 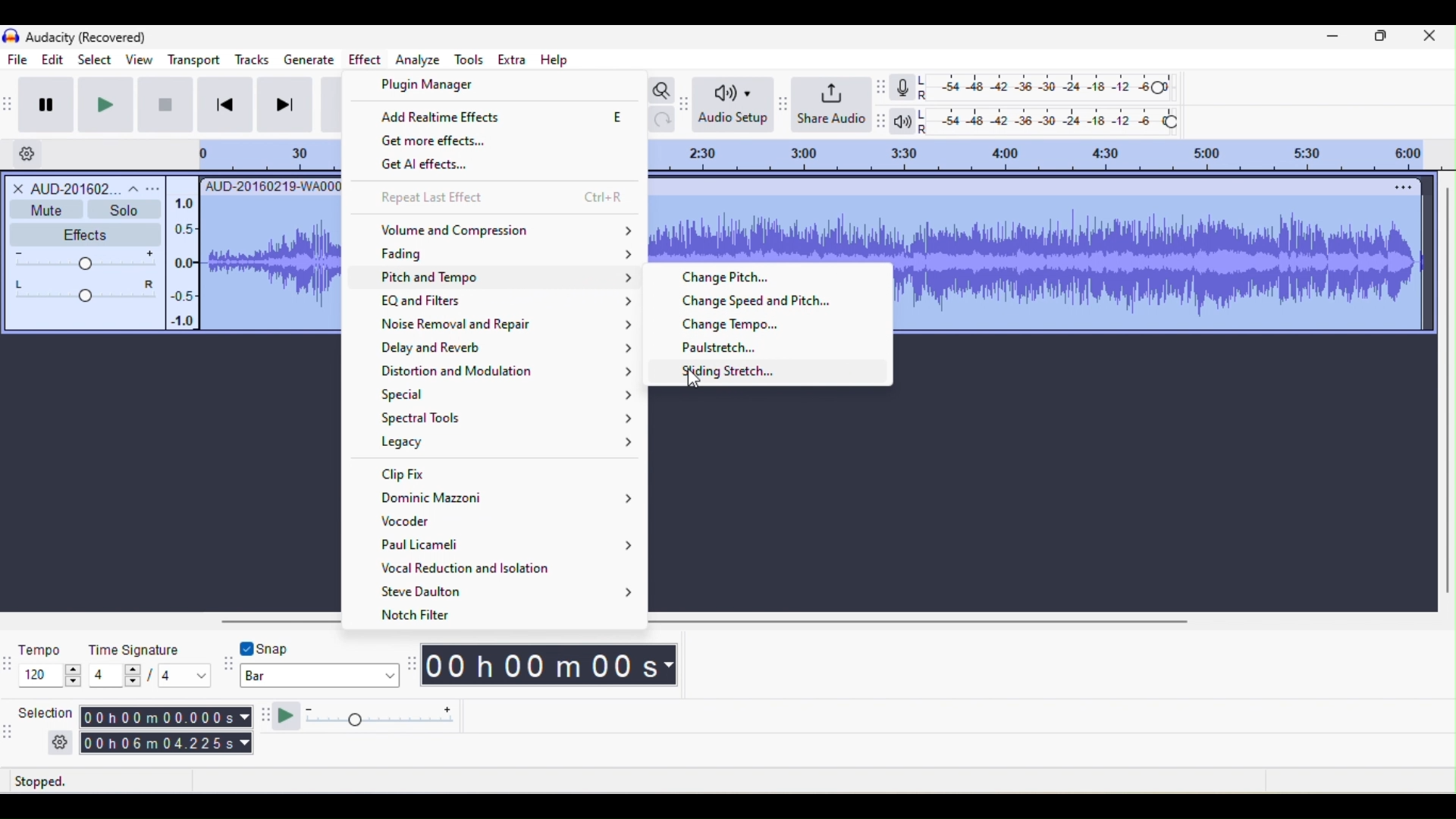 I want to click on get more effect, so click(x=479, y=142).